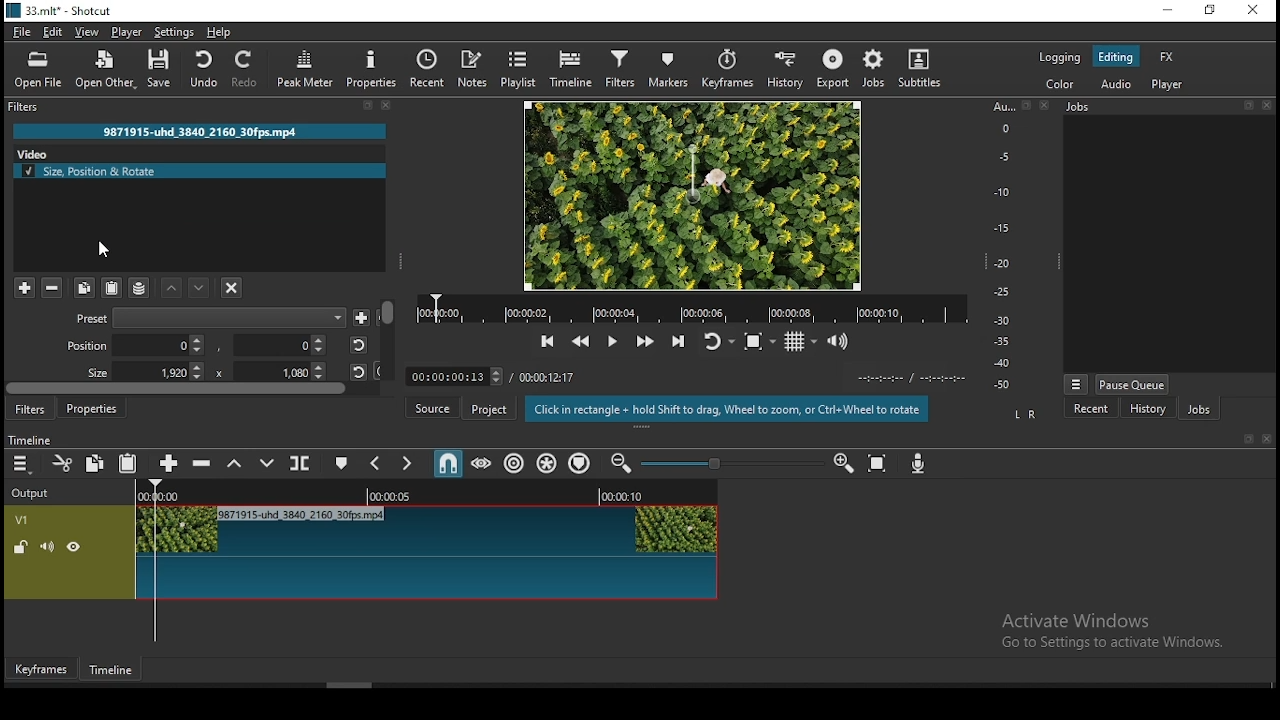  Describe the element at coordinates (160, 372) in the screenshot. I see `size height` at that location.